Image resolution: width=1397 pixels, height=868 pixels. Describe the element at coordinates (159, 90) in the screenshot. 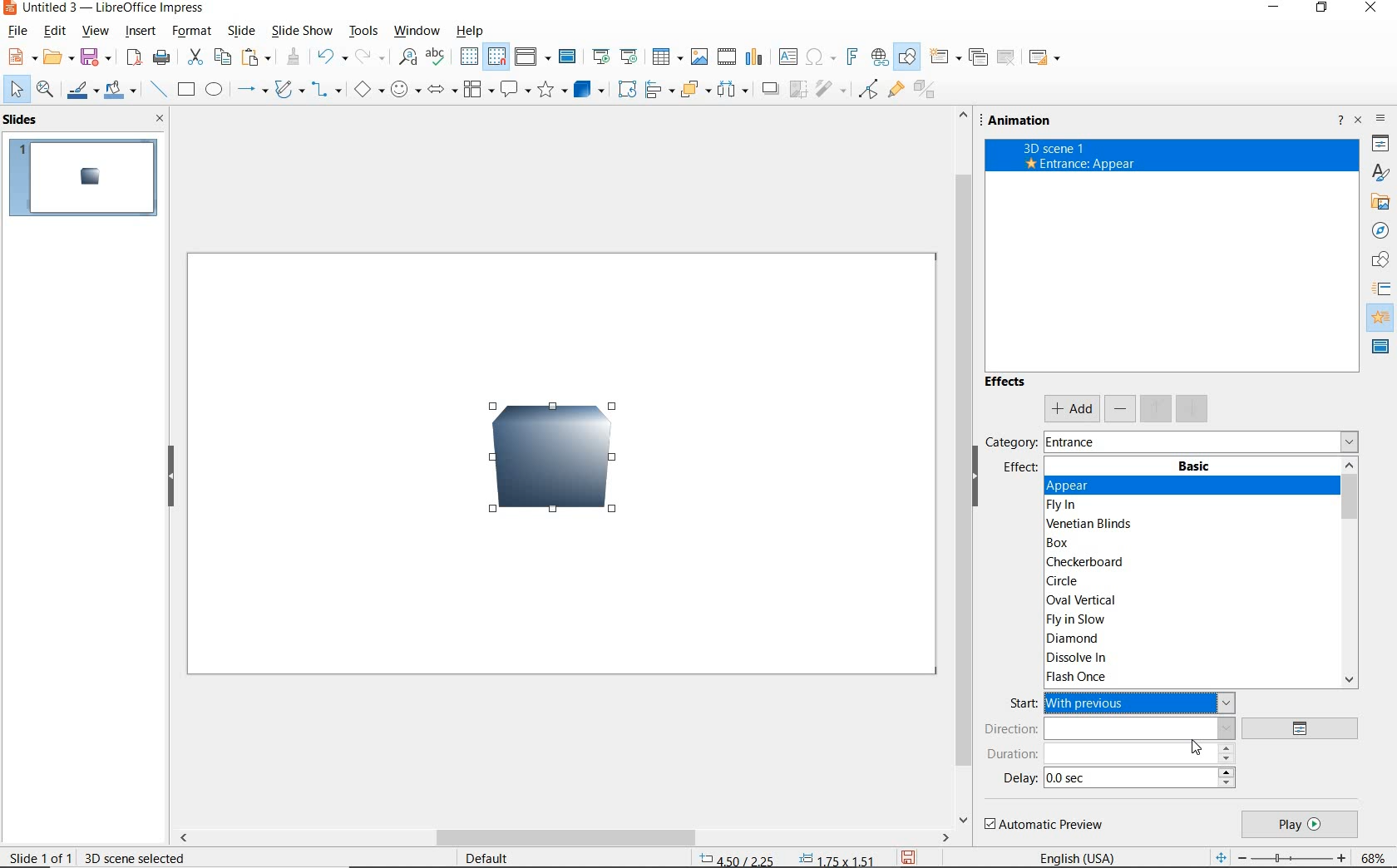

I see `insert line` at that location.